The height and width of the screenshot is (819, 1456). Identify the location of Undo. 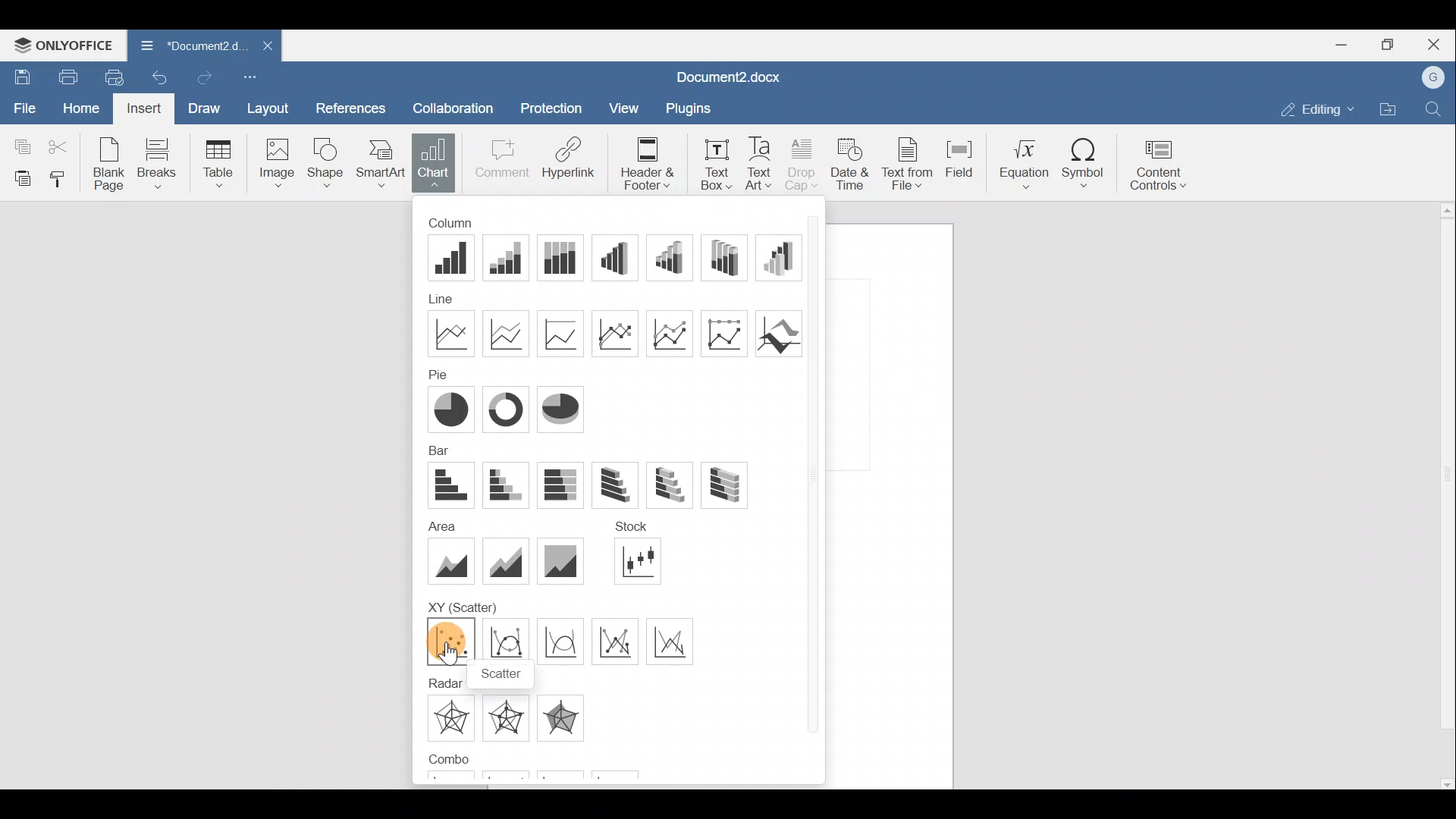
(162, 76).